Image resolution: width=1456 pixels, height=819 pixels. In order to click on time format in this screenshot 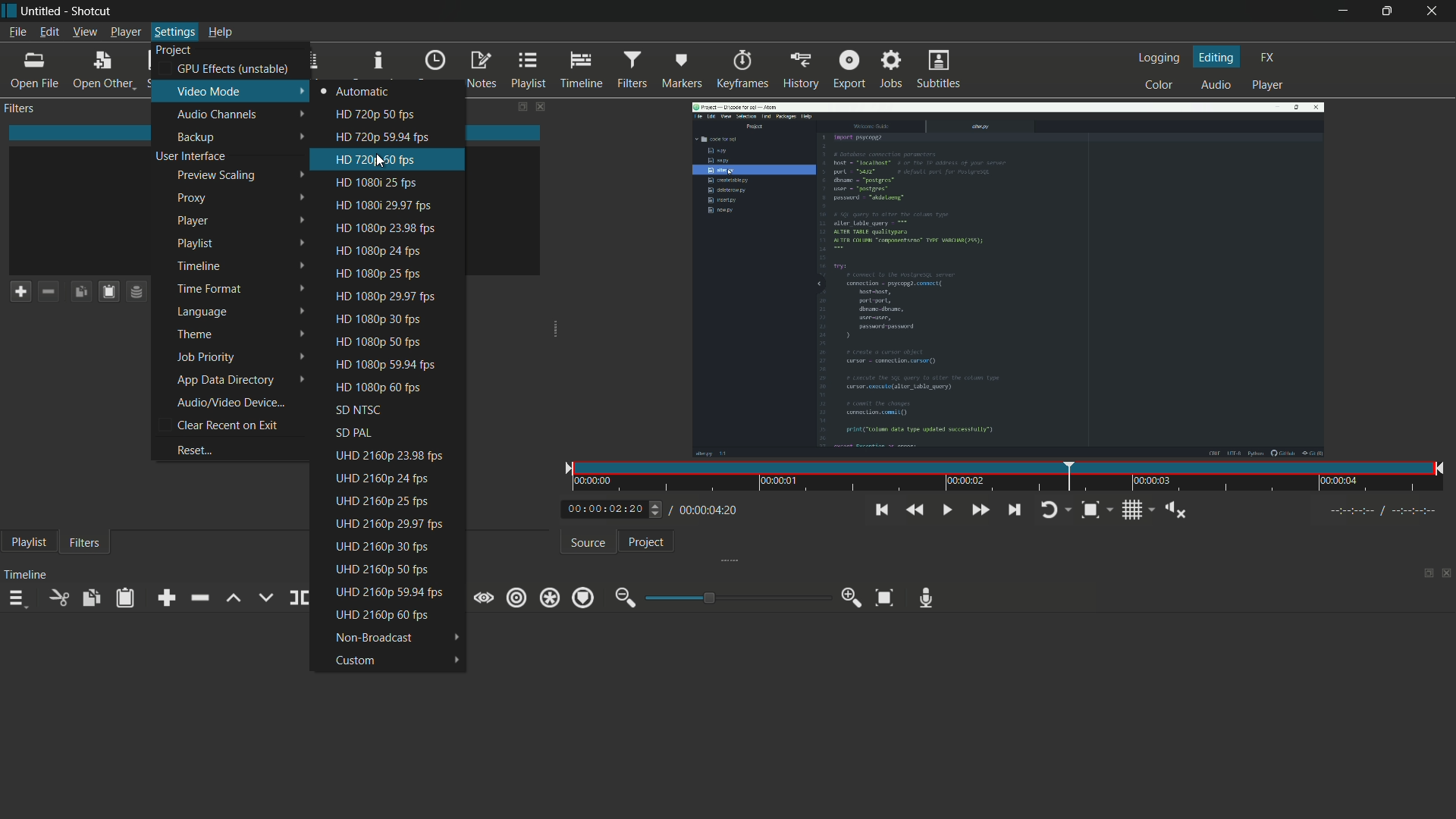, I will do `click(242, 290)`.